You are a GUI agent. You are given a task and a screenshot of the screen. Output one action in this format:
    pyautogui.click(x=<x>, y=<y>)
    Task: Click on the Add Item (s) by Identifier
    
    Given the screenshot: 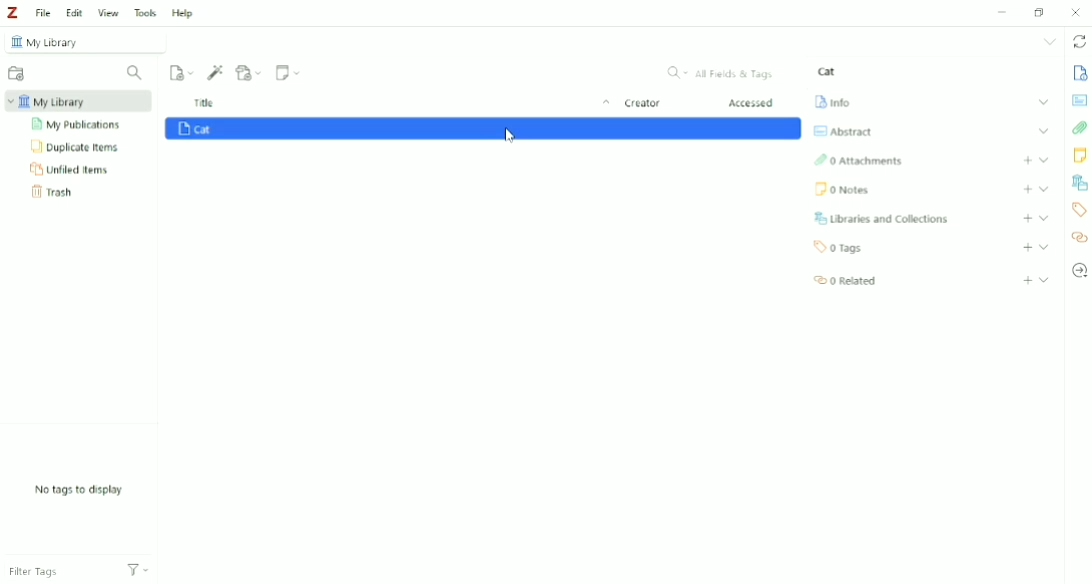 What is the action you would take?
    pyautogui.click(x=216, y=72)
    